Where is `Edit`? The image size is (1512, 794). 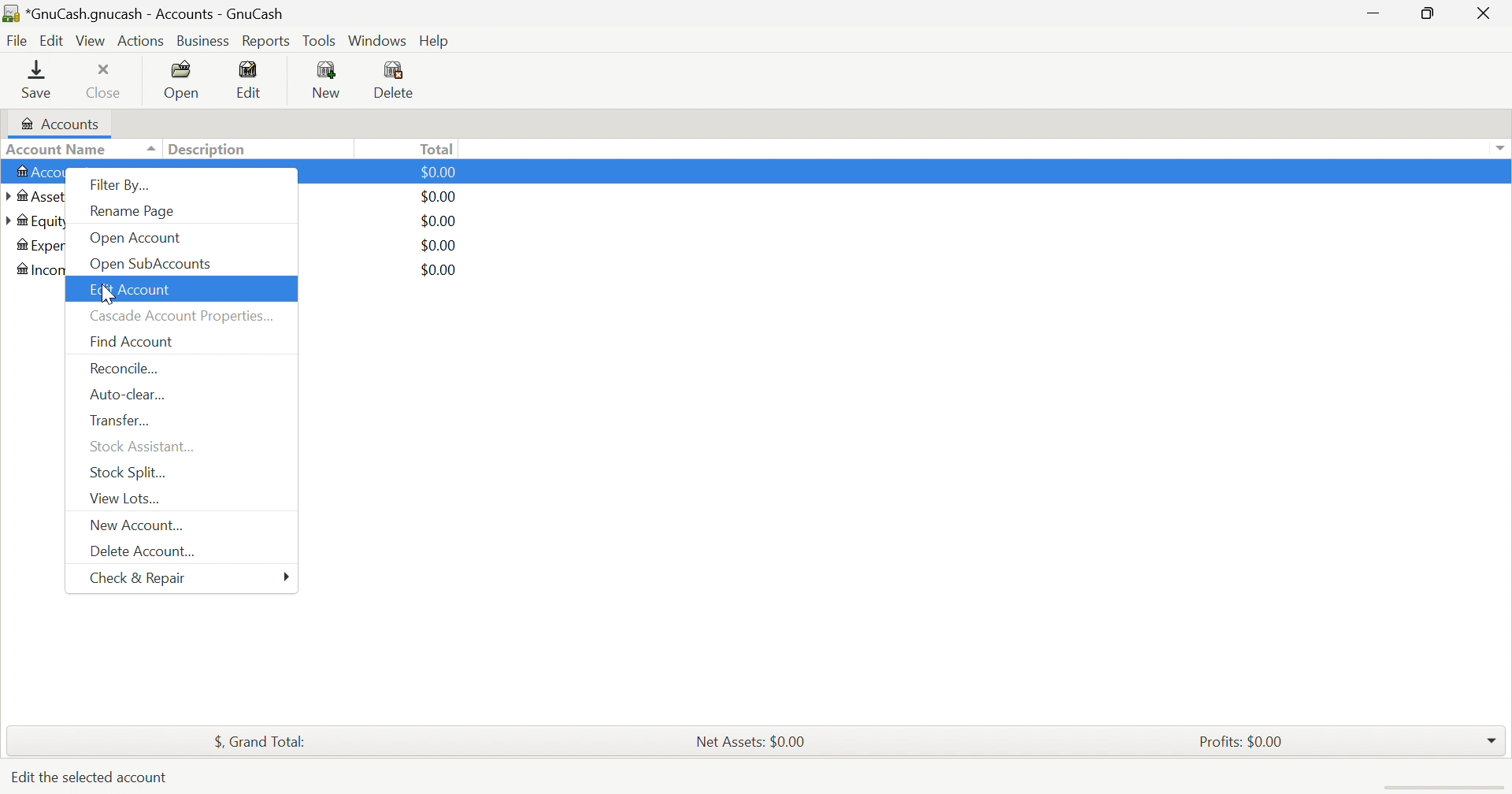 Edit is located at coordinates (254, 80).